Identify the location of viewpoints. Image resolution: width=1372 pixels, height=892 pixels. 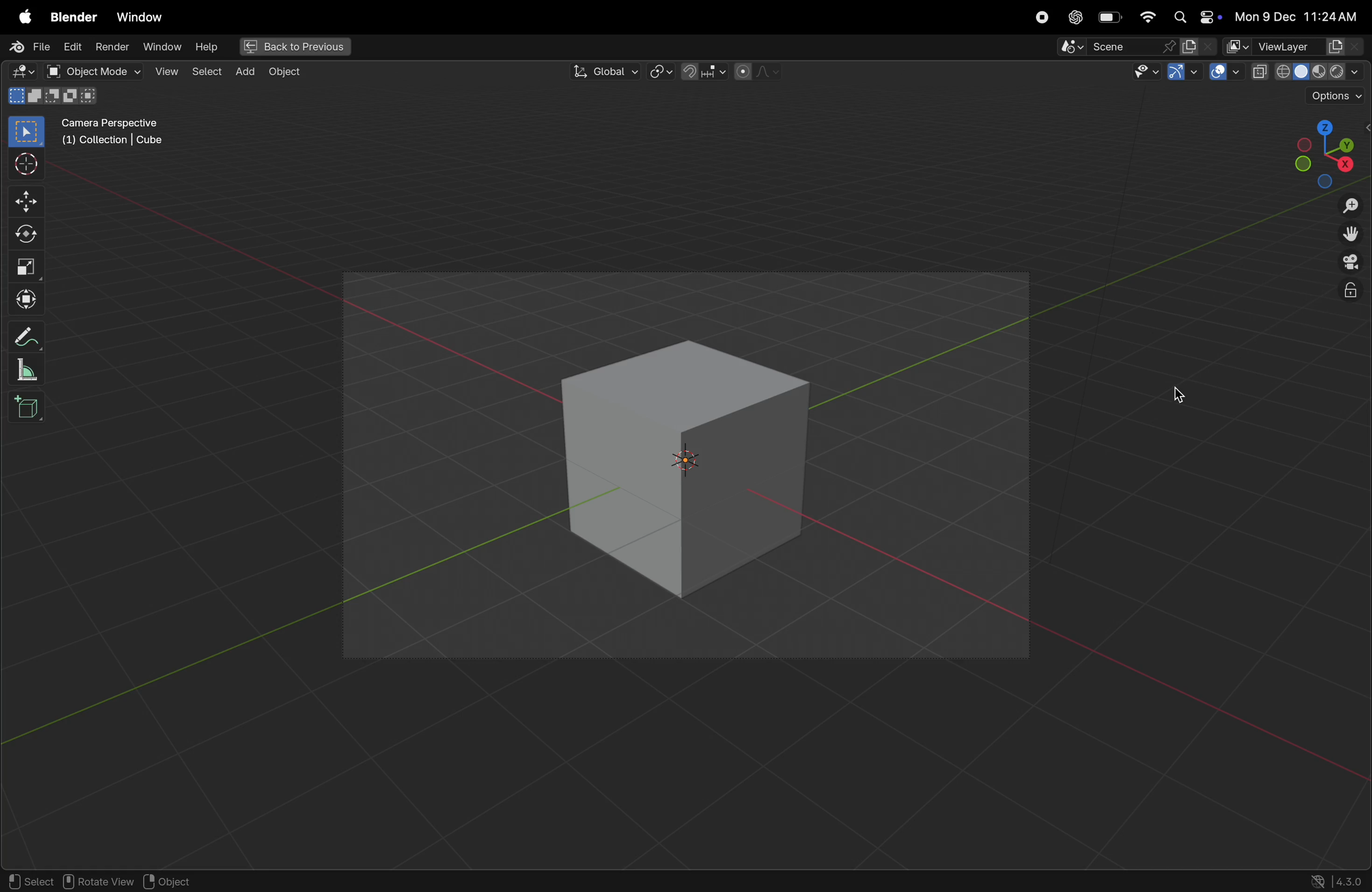
(1326, 151).